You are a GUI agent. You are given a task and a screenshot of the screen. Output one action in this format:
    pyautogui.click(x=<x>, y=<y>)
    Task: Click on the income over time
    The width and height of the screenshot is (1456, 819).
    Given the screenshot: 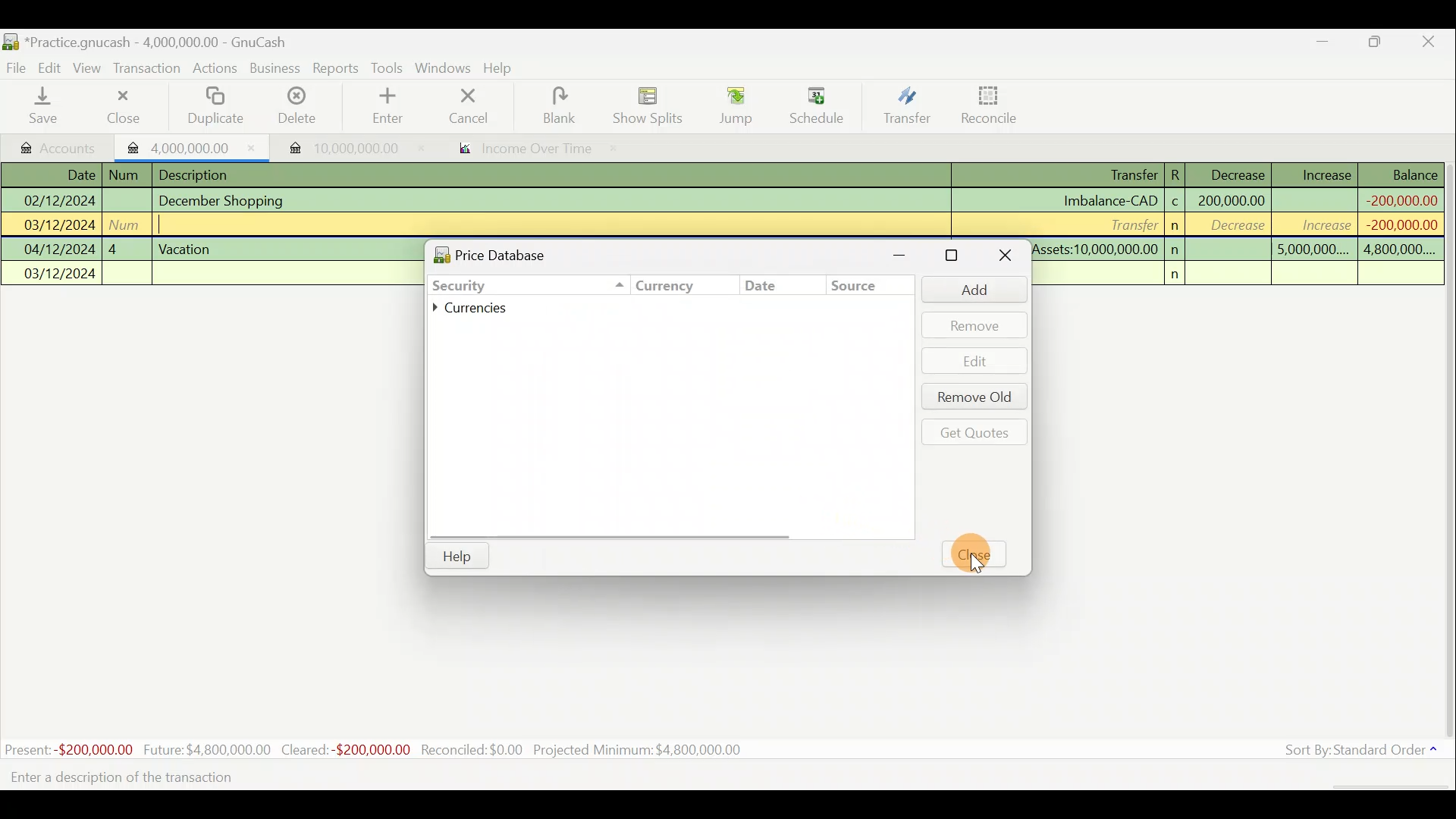 What is the action you would take?
    pyautogui.click(x=536, y=149)
    